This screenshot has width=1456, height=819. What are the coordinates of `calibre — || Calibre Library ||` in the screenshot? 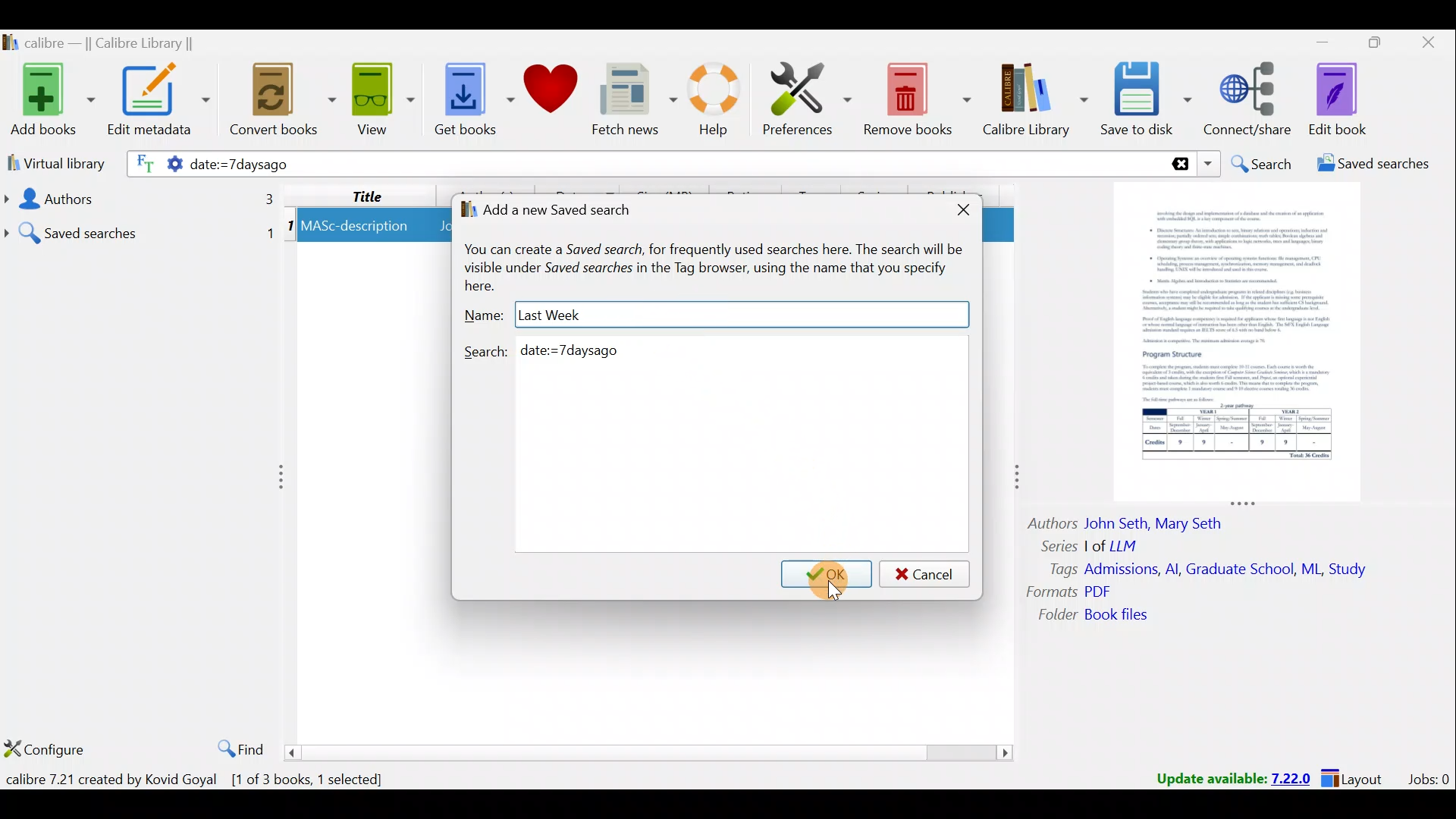 It's located at (118, 42).